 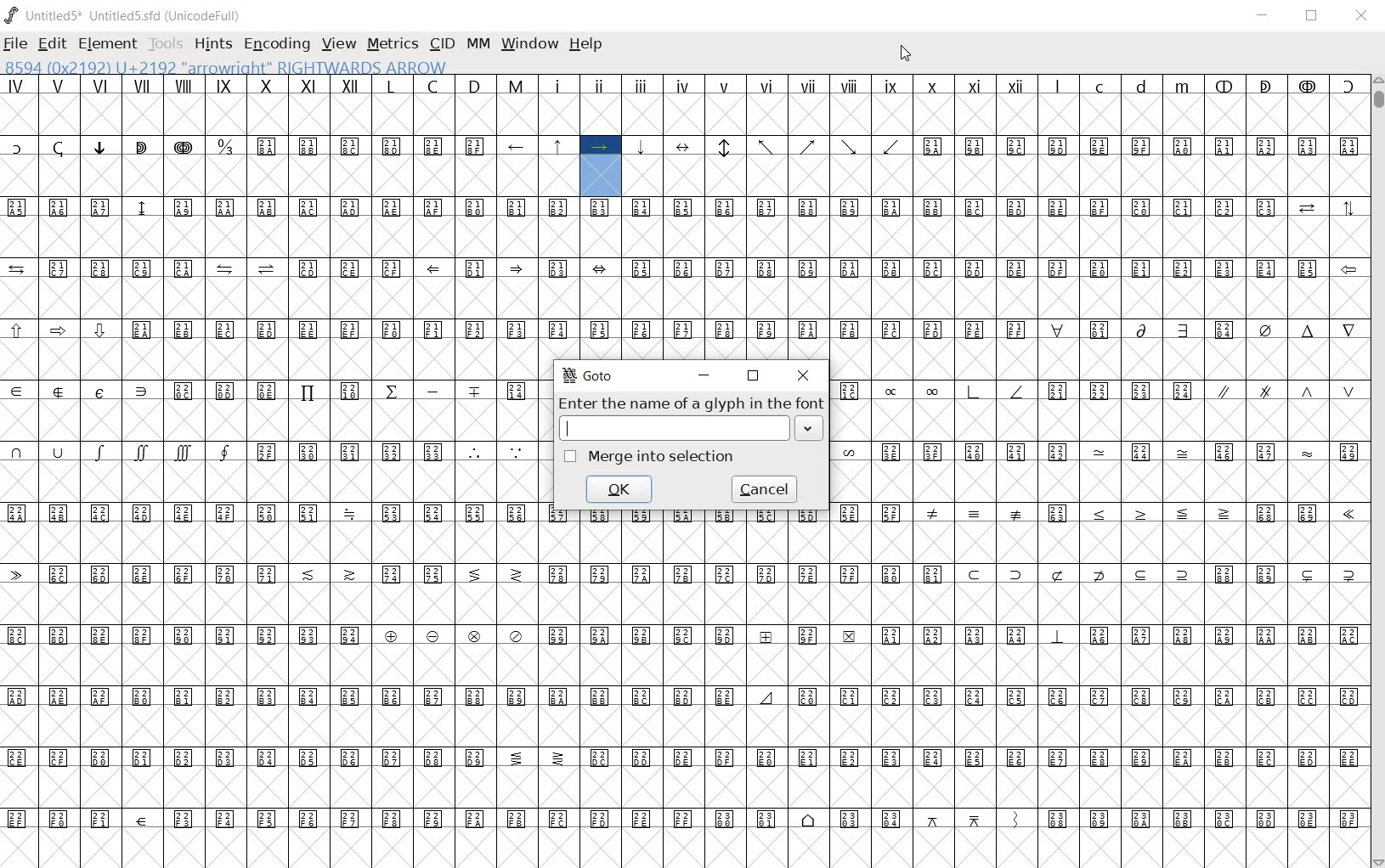 I want to click on TOOLS, so click(x=166, y=44).